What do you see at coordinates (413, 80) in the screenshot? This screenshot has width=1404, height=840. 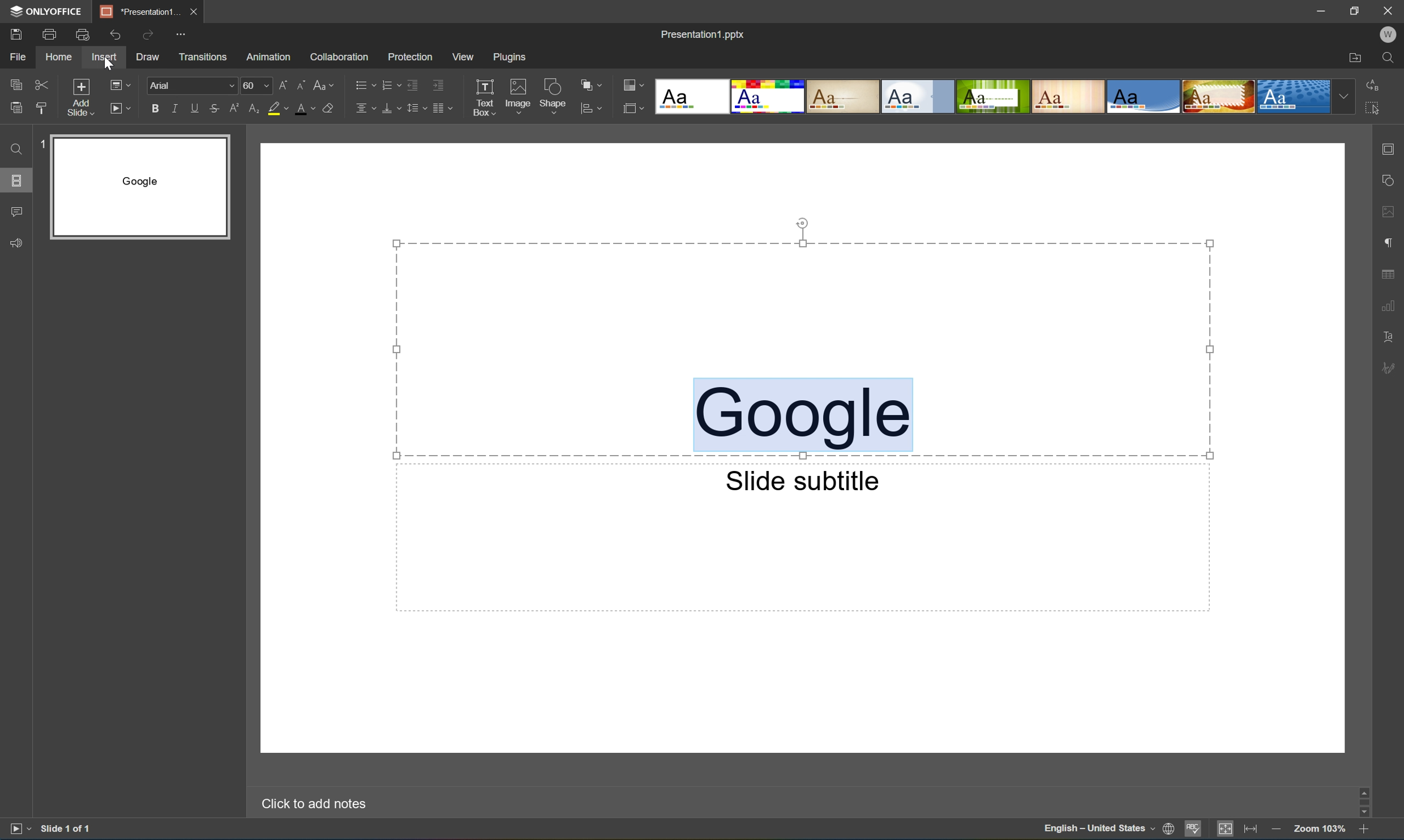 I see `Decrease indent` at bounding box center [413, 80].